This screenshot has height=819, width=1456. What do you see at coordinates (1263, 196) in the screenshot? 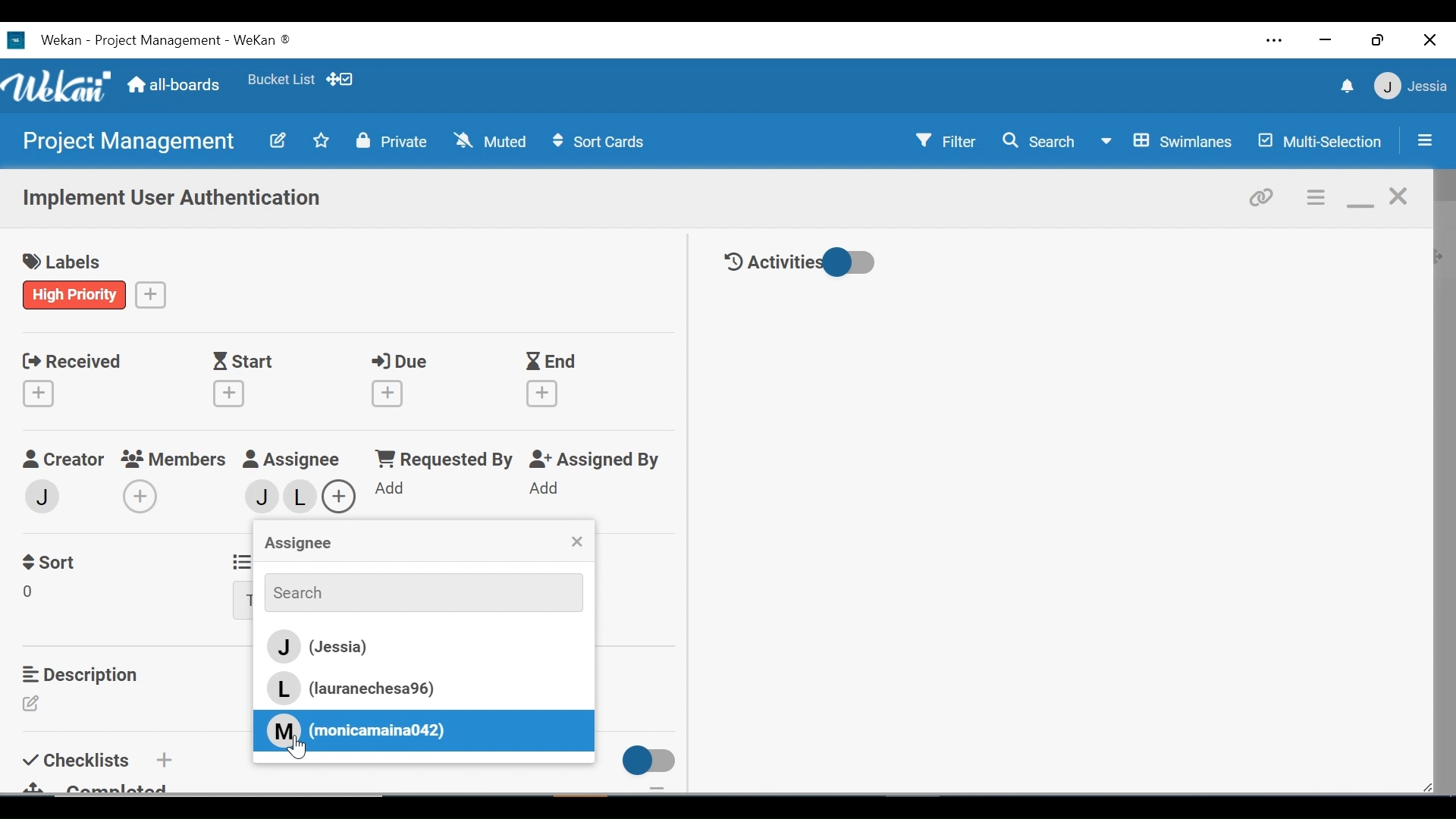
I see `Copy link to card` at bounding box center [1263, 196].